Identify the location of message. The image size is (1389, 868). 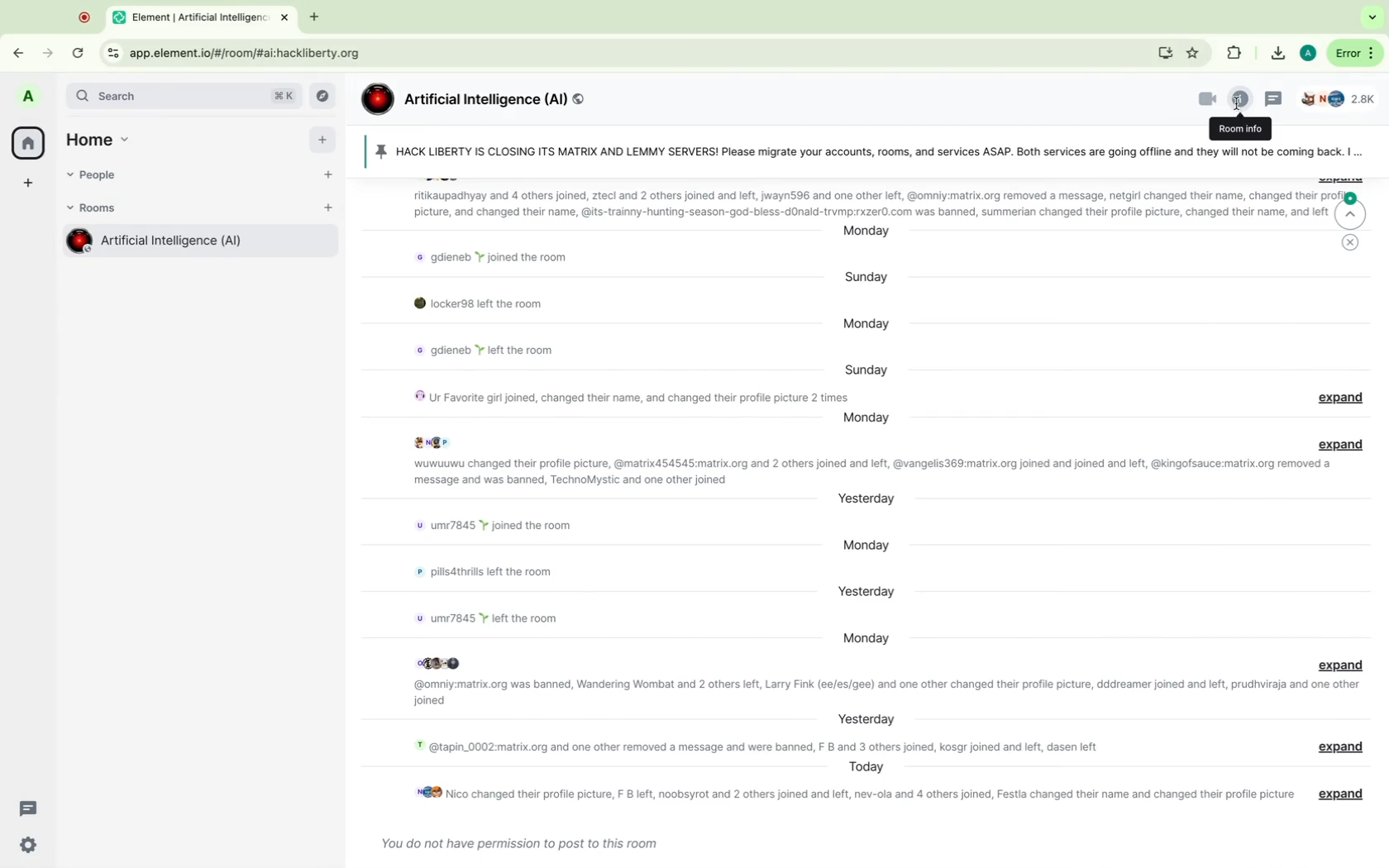
(848, 794).